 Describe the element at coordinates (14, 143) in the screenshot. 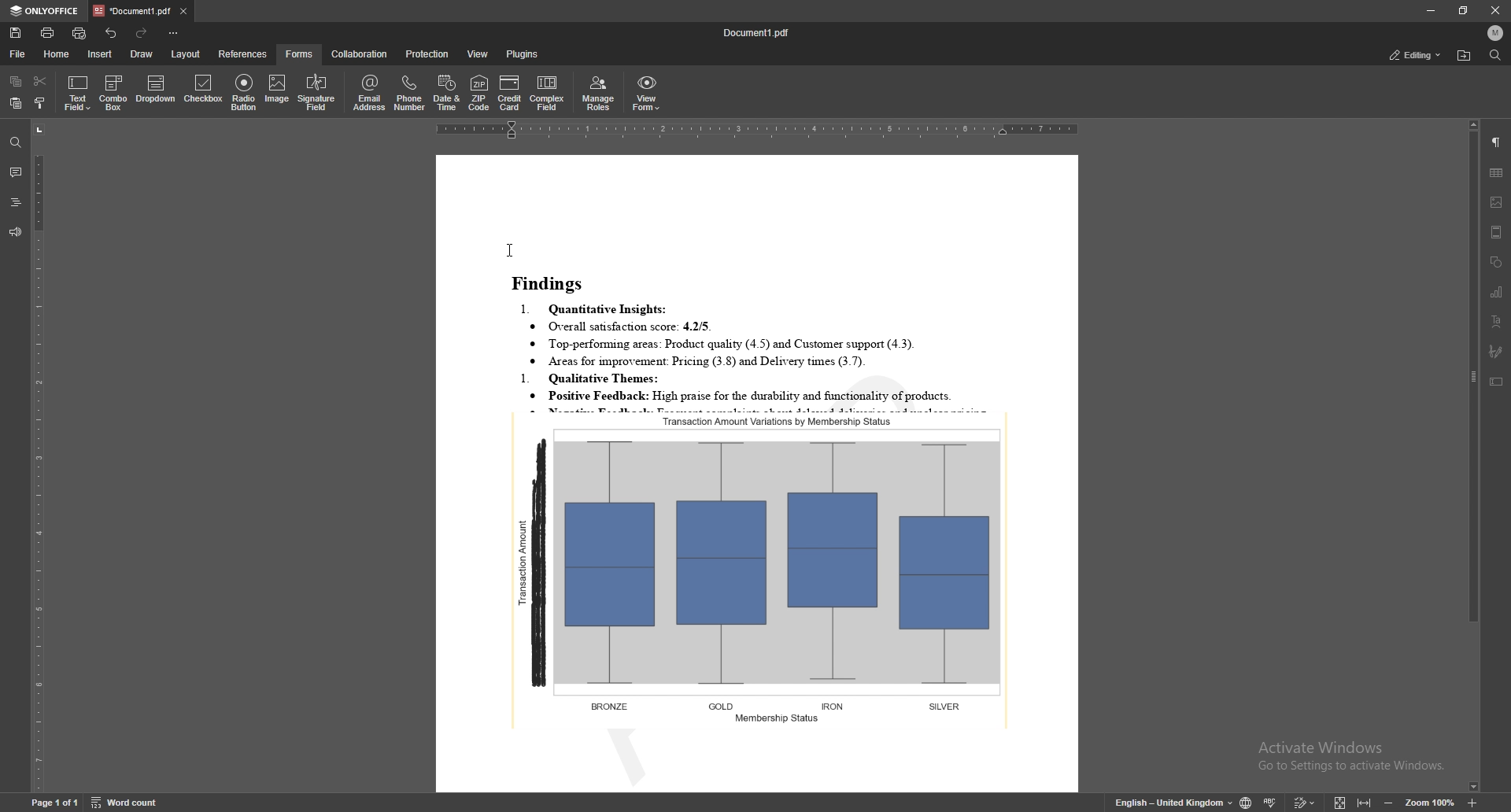

I see `find` at that location.